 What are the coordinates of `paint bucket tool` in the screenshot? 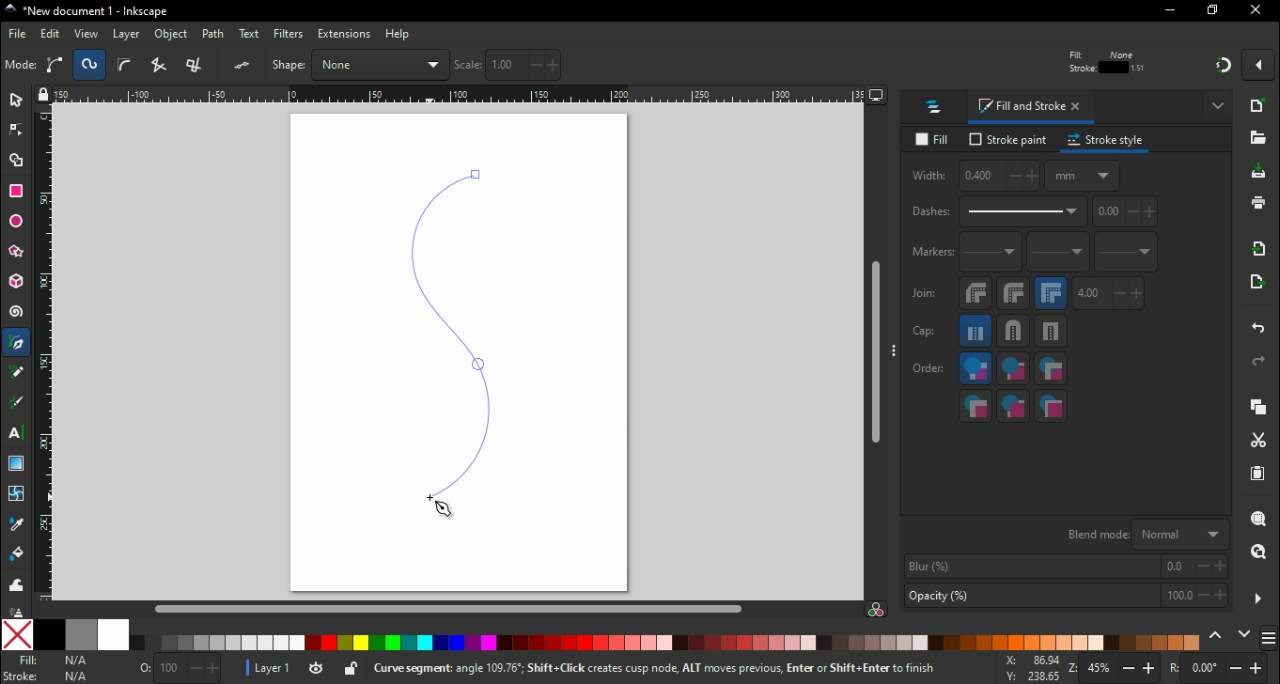 It's located at (14, 556).